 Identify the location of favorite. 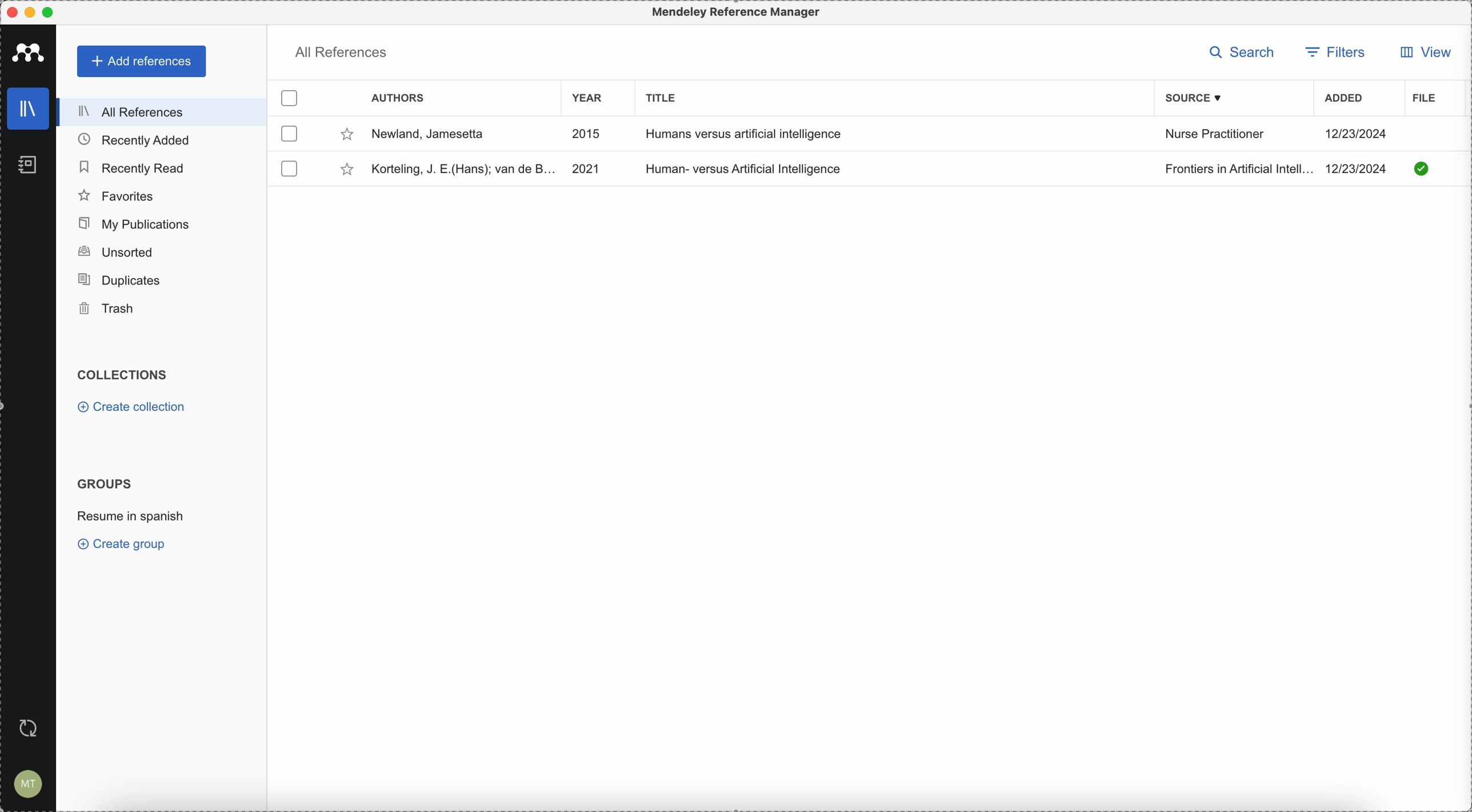
(347, 169).